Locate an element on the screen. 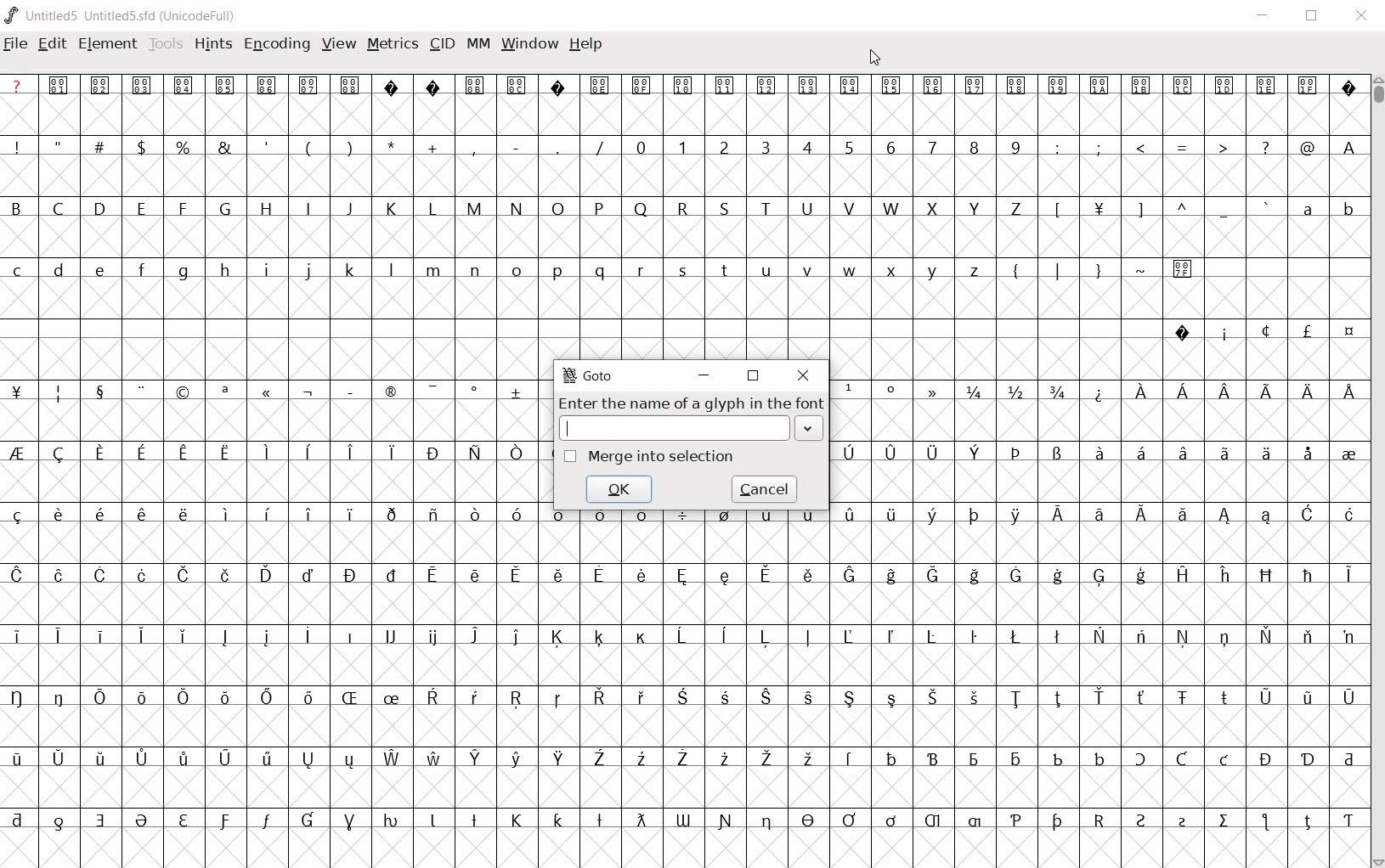  Symbol is located at coordinates (1015, 575).